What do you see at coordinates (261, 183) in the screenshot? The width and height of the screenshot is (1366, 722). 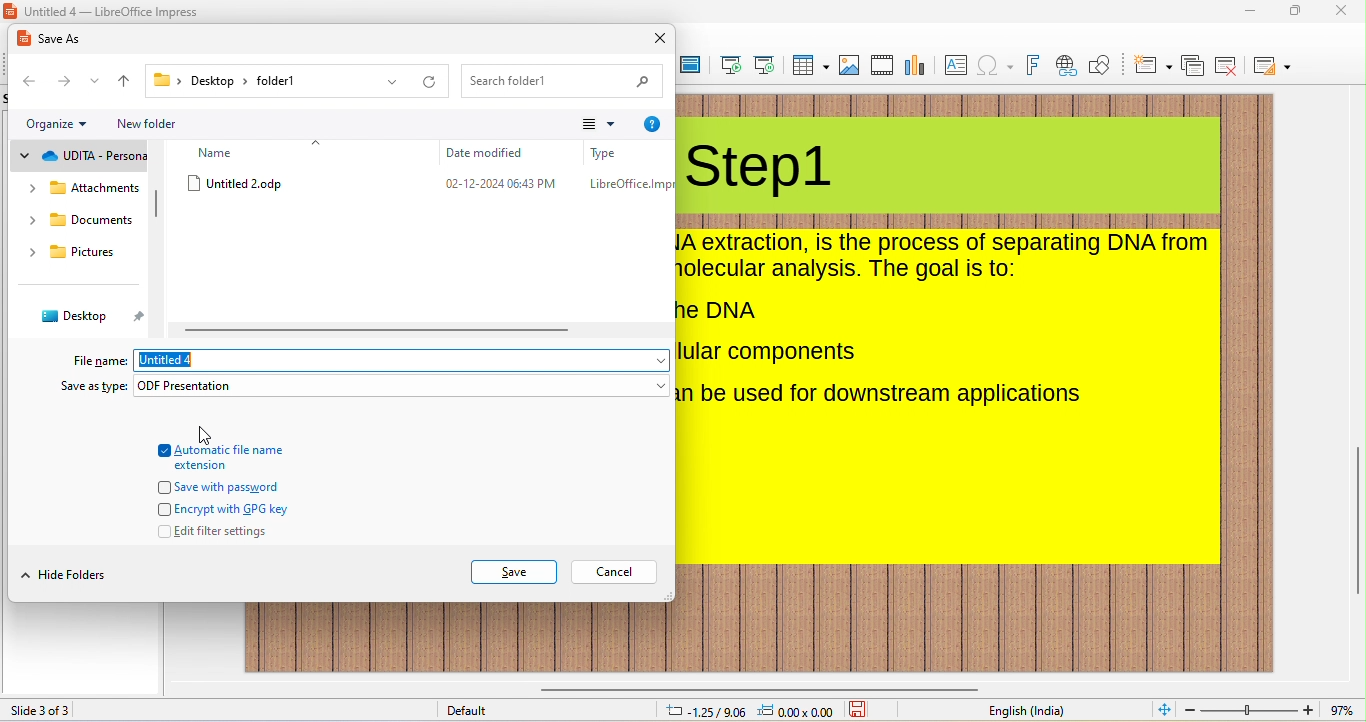 I see `untitled2` at bounding box center [261, 183].